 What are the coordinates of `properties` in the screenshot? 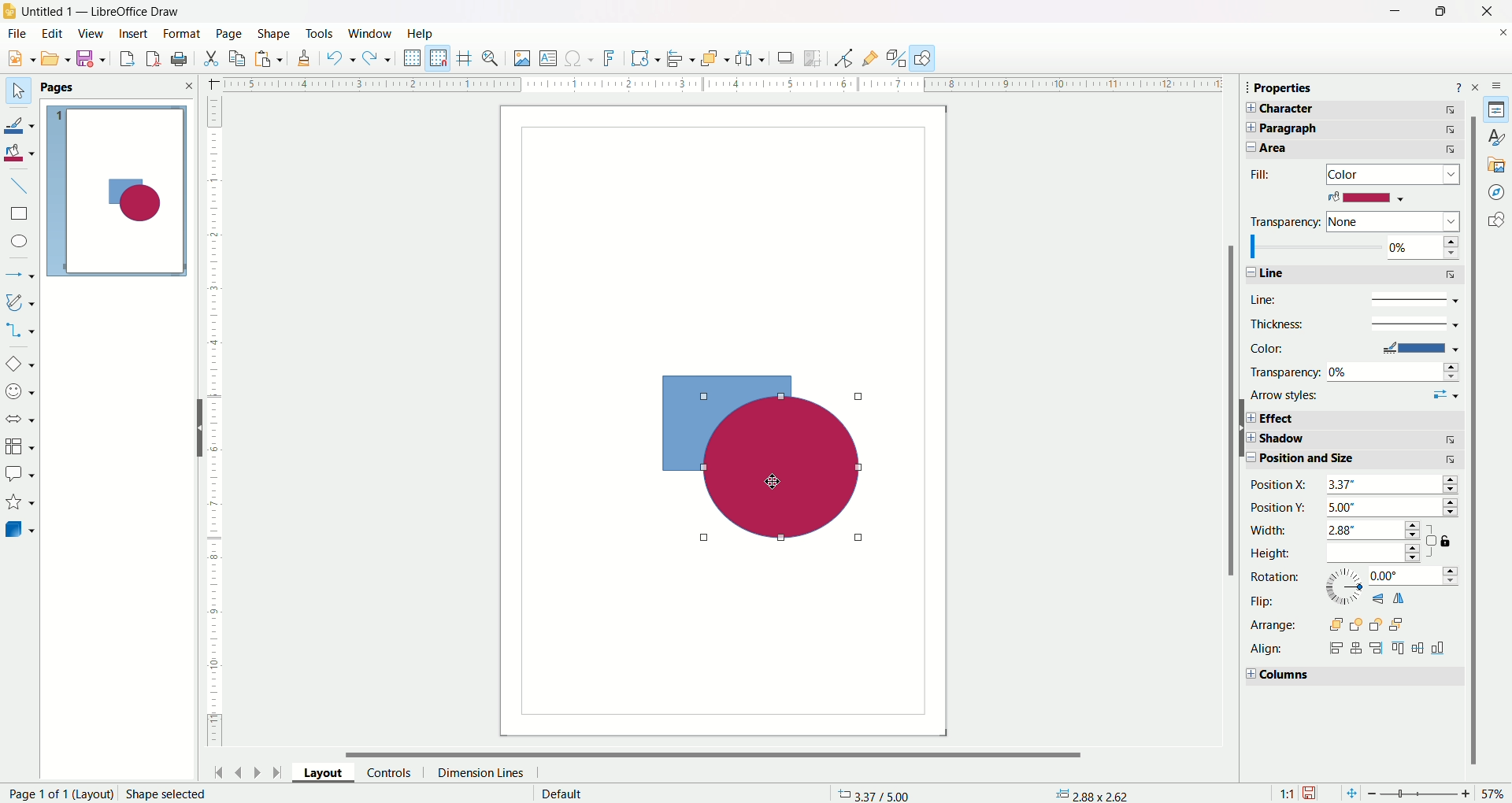 It's located at (1294, 89).